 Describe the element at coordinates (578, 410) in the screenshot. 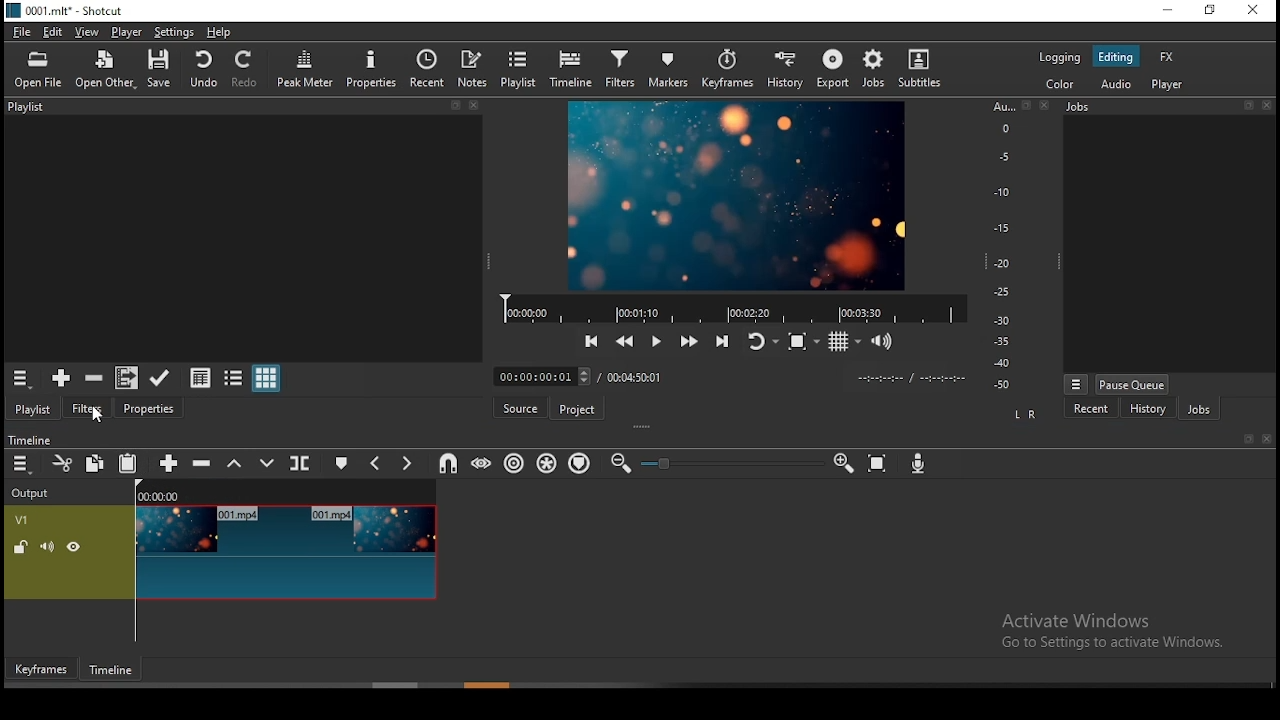

I see `project` at that location.